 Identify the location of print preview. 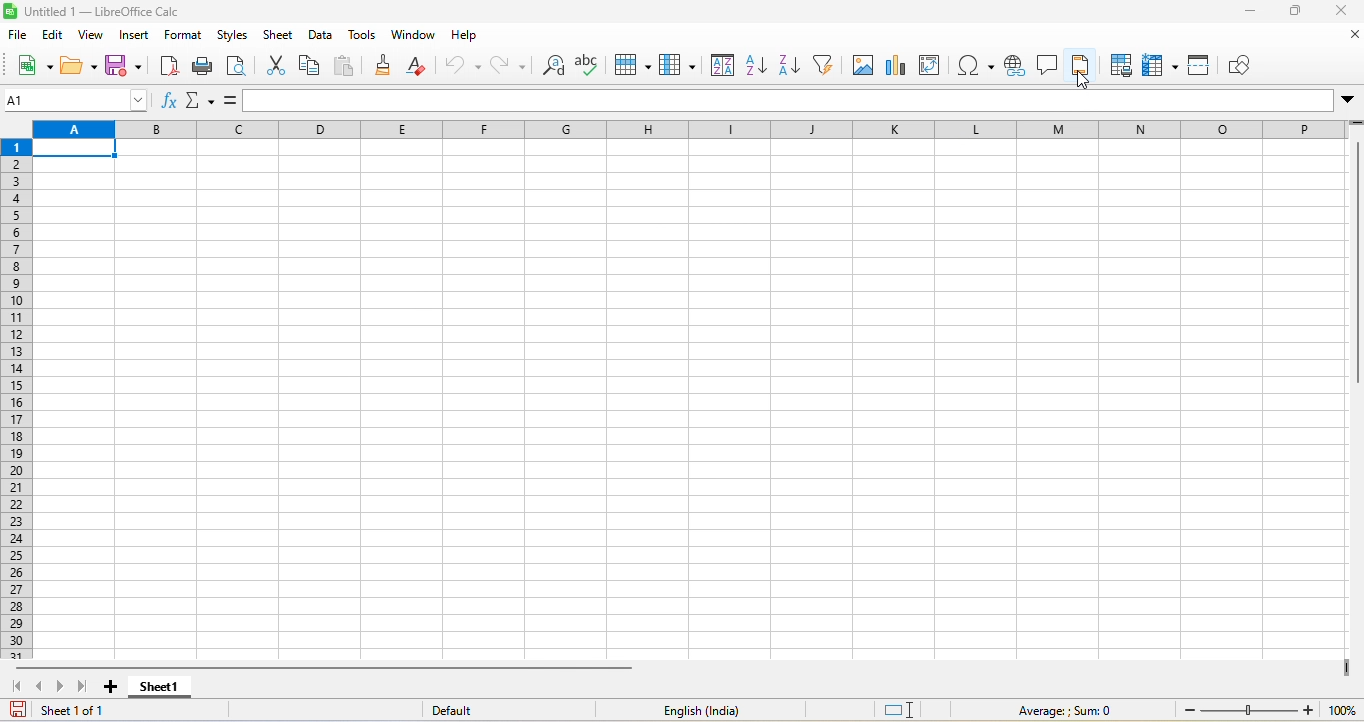
(243, 65).